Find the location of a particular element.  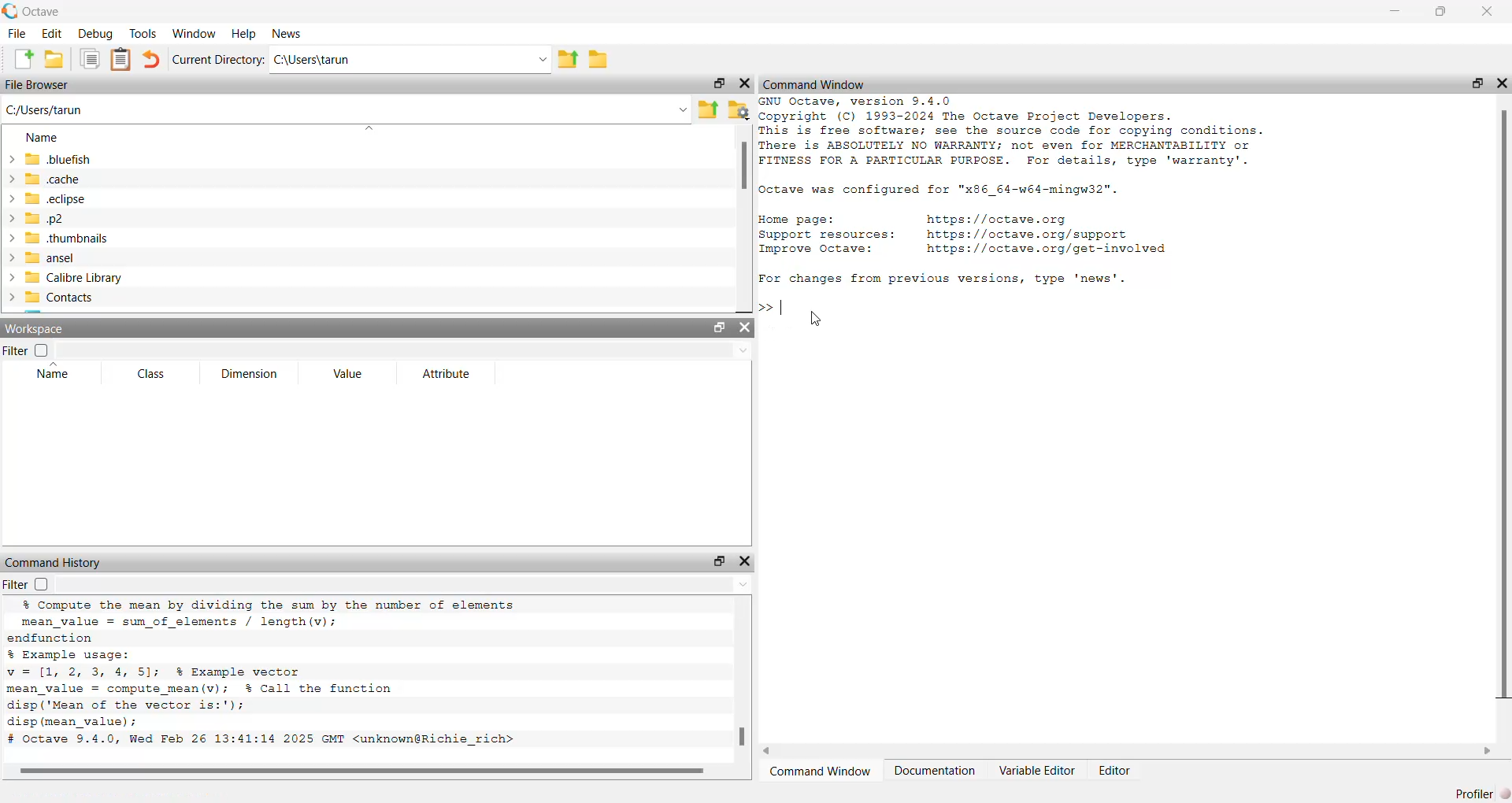

File Browser is located at coordinates (38, 86).